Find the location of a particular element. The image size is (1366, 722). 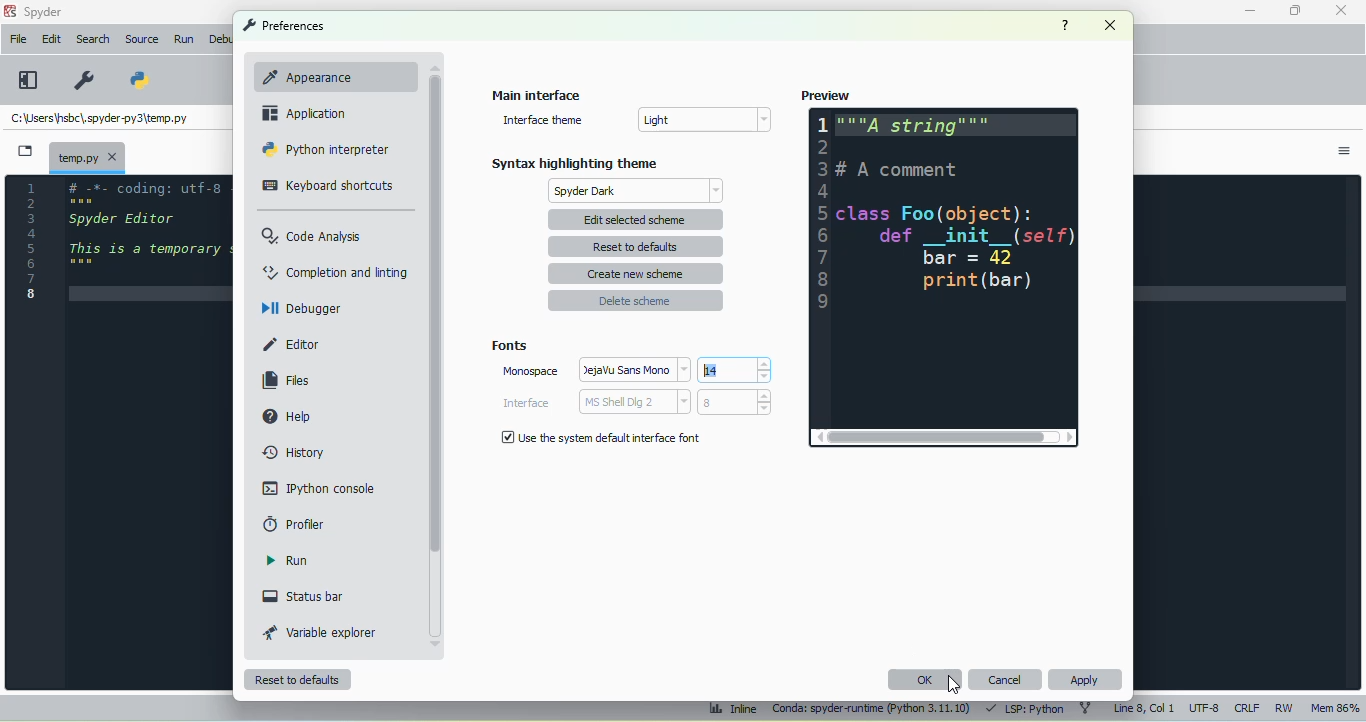

PYTHONPATH manager is located at coordinates (136, 79).